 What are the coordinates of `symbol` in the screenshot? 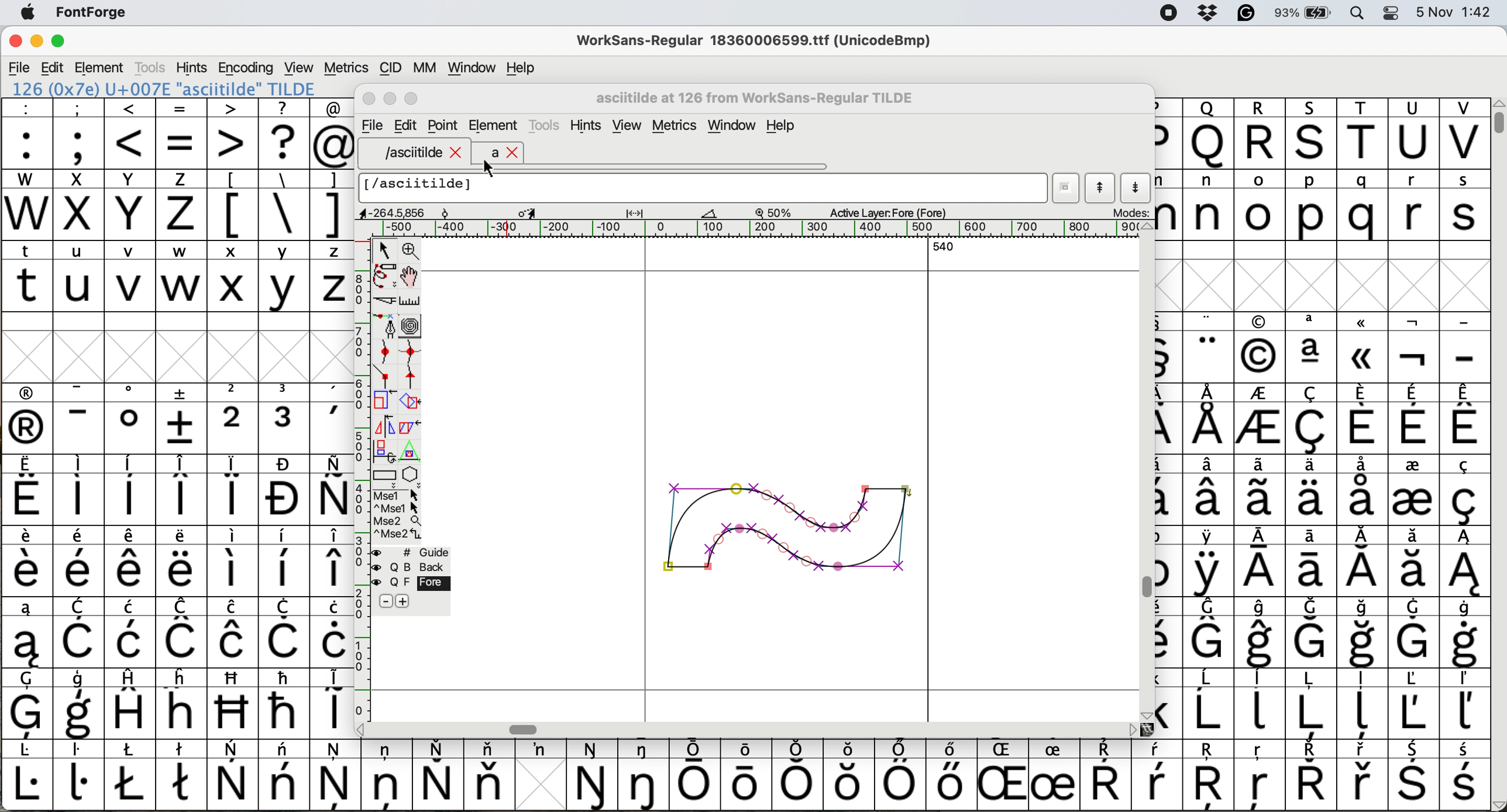 It's located at (900, 775).